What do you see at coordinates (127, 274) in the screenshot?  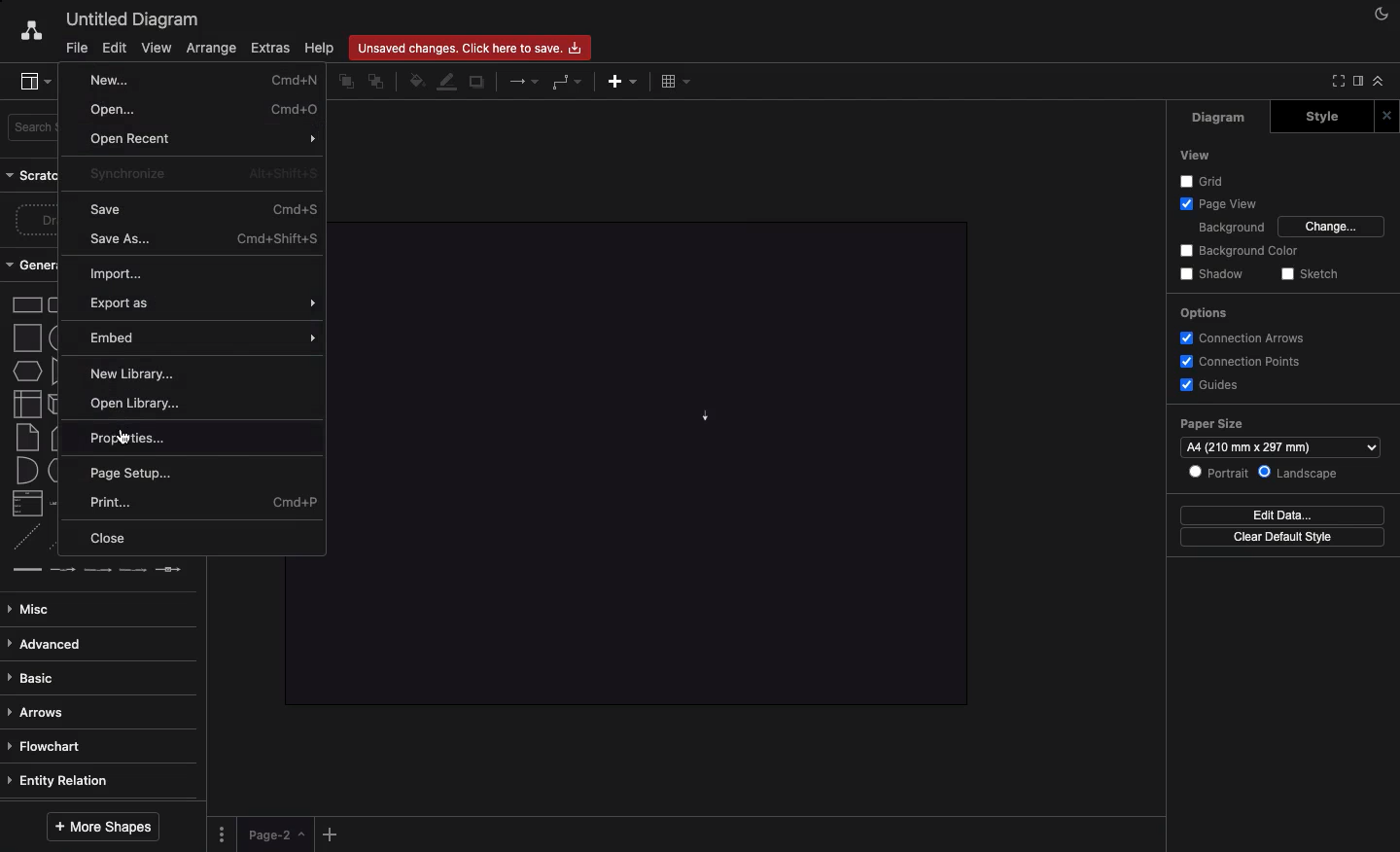 I see `Import` at bounding box center [127, 274].